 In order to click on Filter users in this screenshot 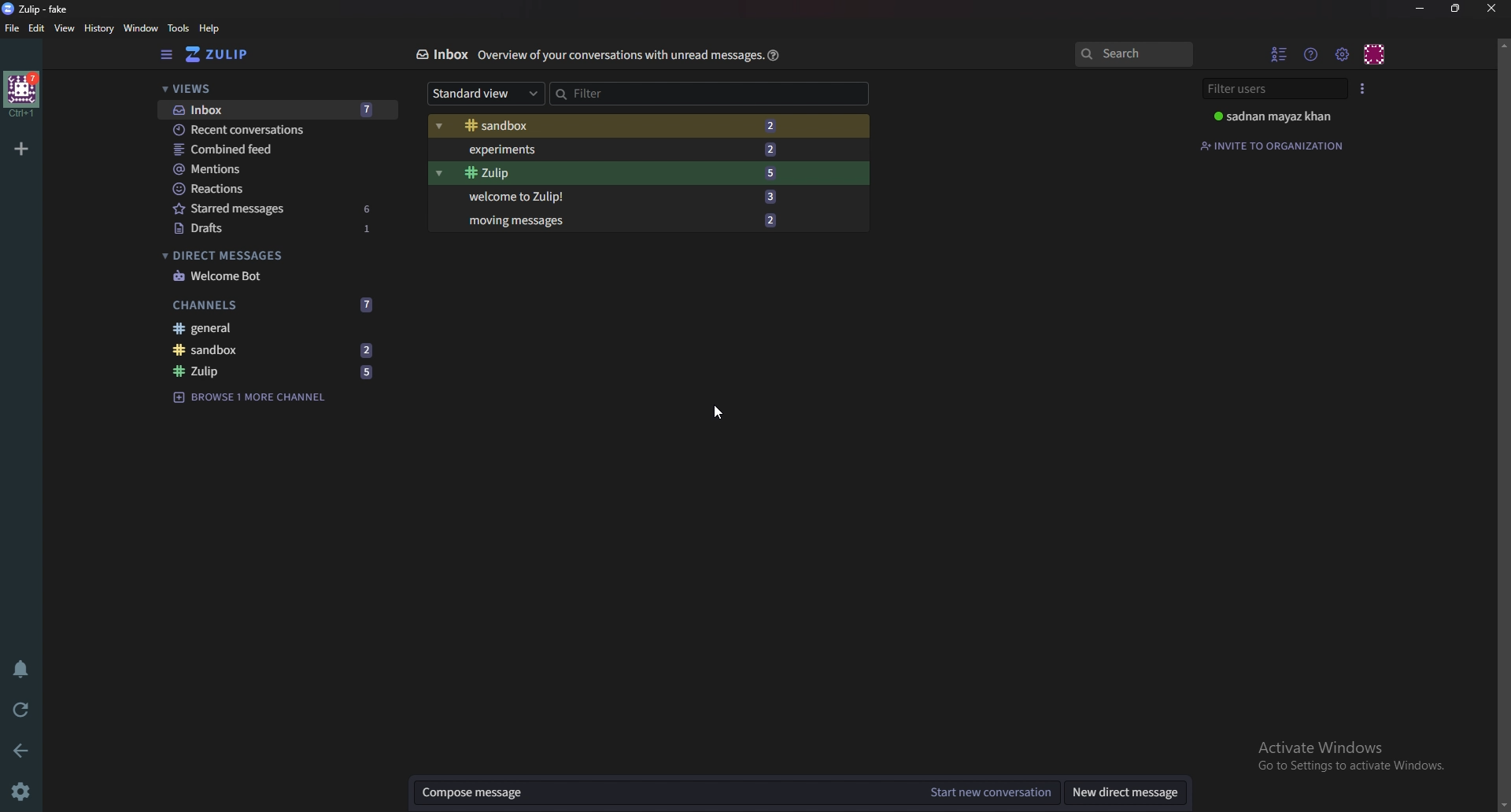, I will do `click(1278, 89)`.